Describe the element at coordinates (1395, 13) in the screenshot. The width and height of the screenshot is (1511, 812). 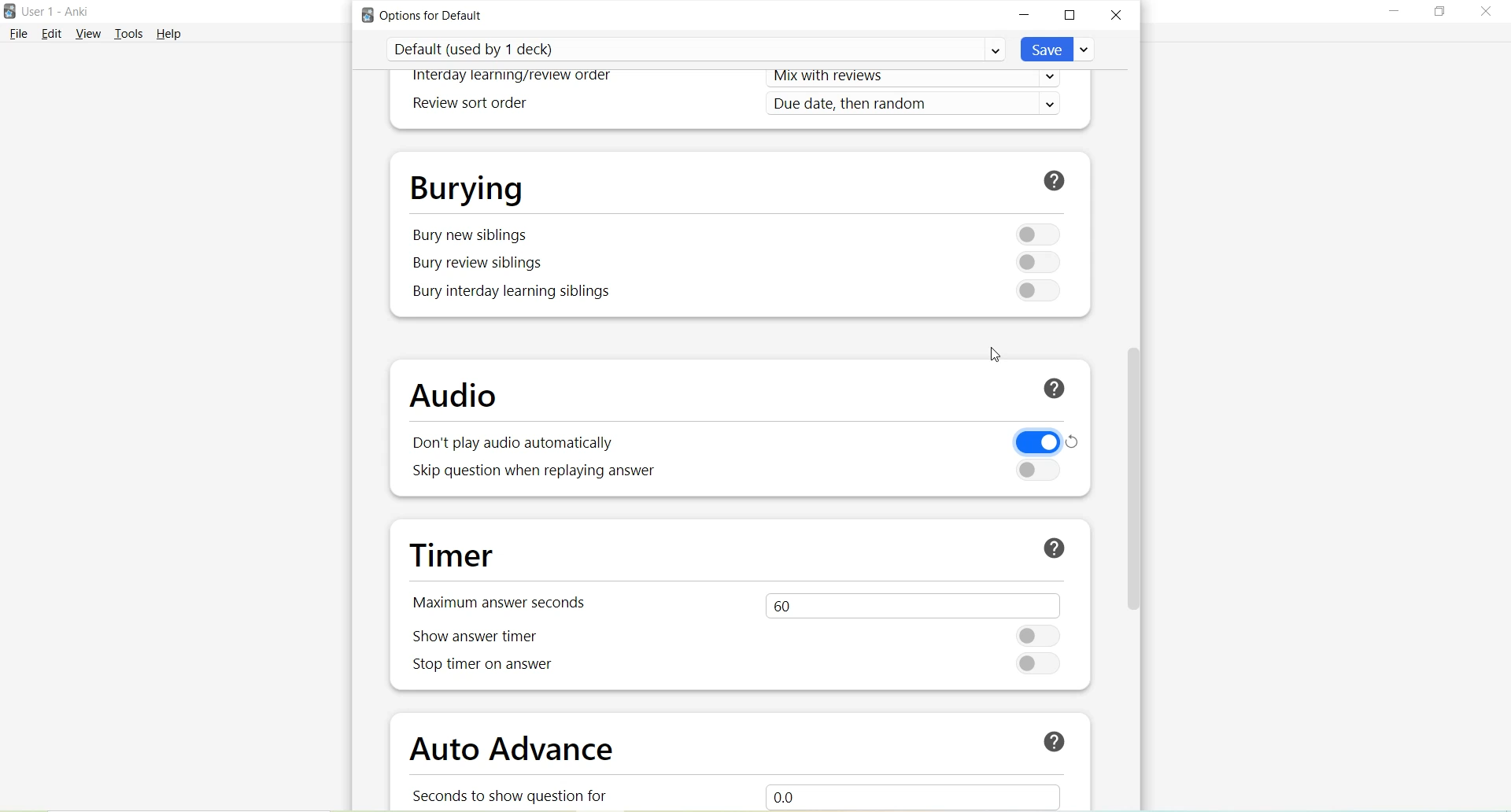
I see `Minimize` at that location.